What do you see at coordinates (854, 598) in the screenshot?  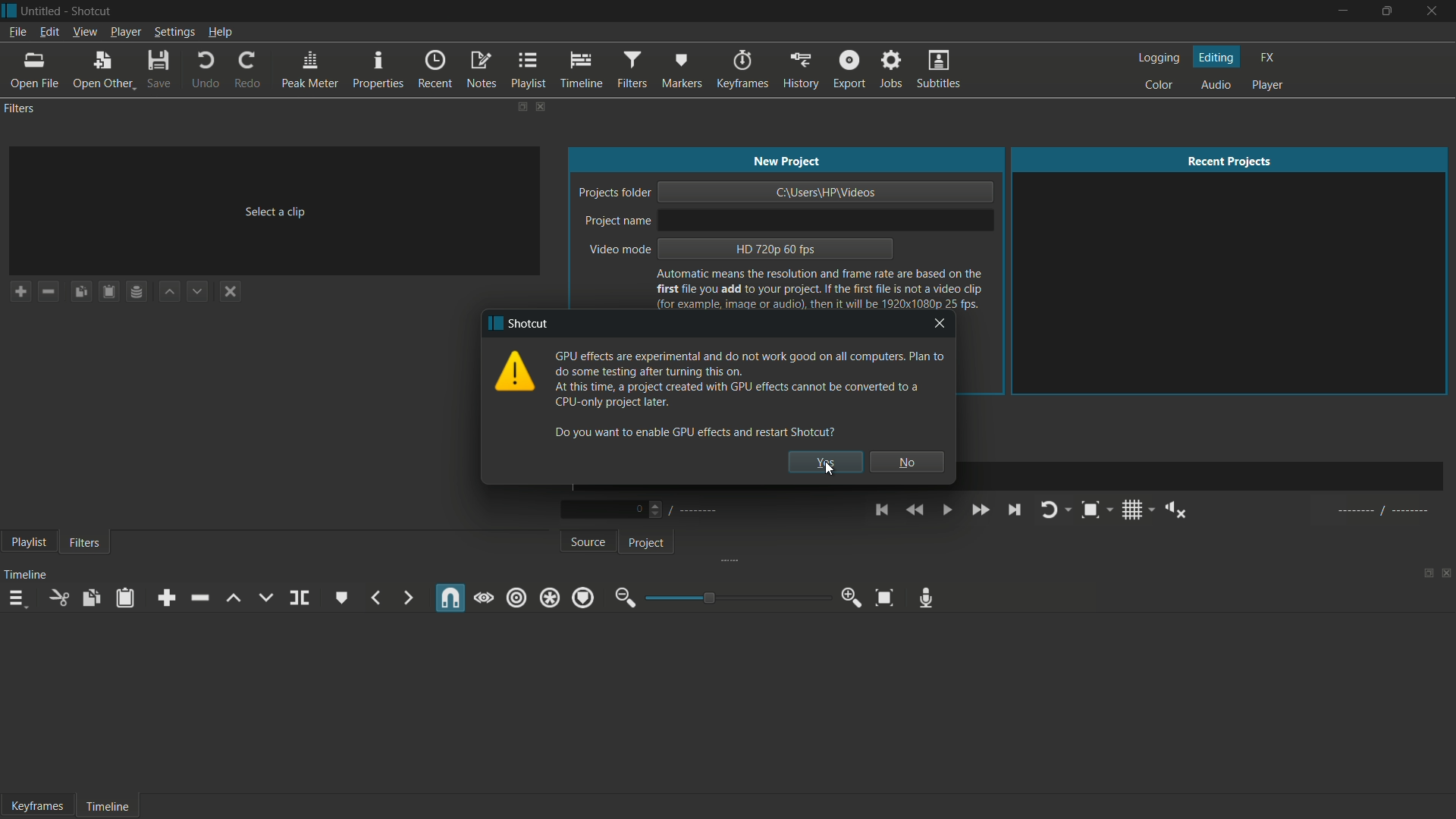 I see `zoom in` at bounding box center [854, 598].